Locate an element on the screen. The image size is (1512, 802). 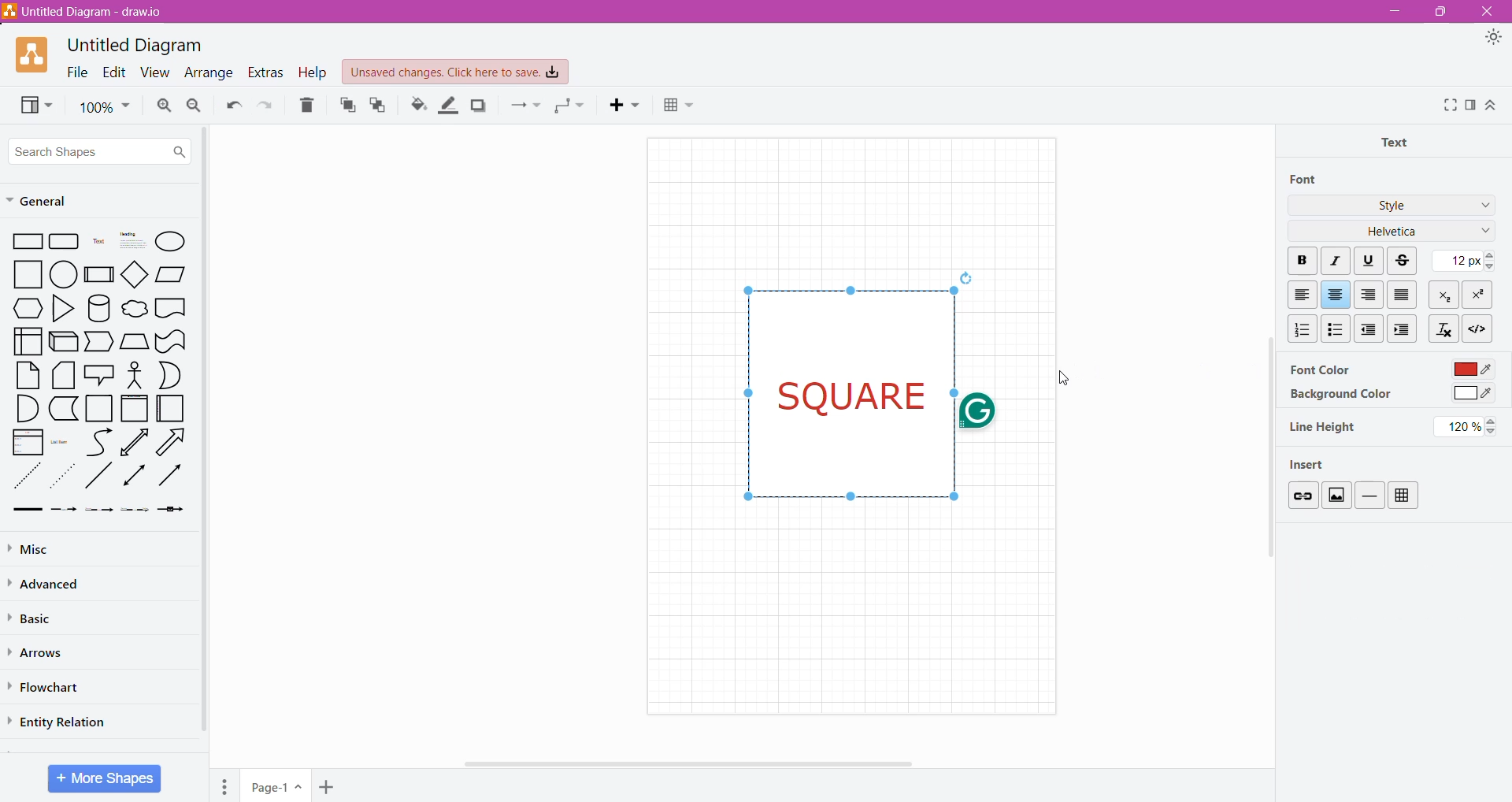
Set Font Size is located at coordinates (1462, 260).